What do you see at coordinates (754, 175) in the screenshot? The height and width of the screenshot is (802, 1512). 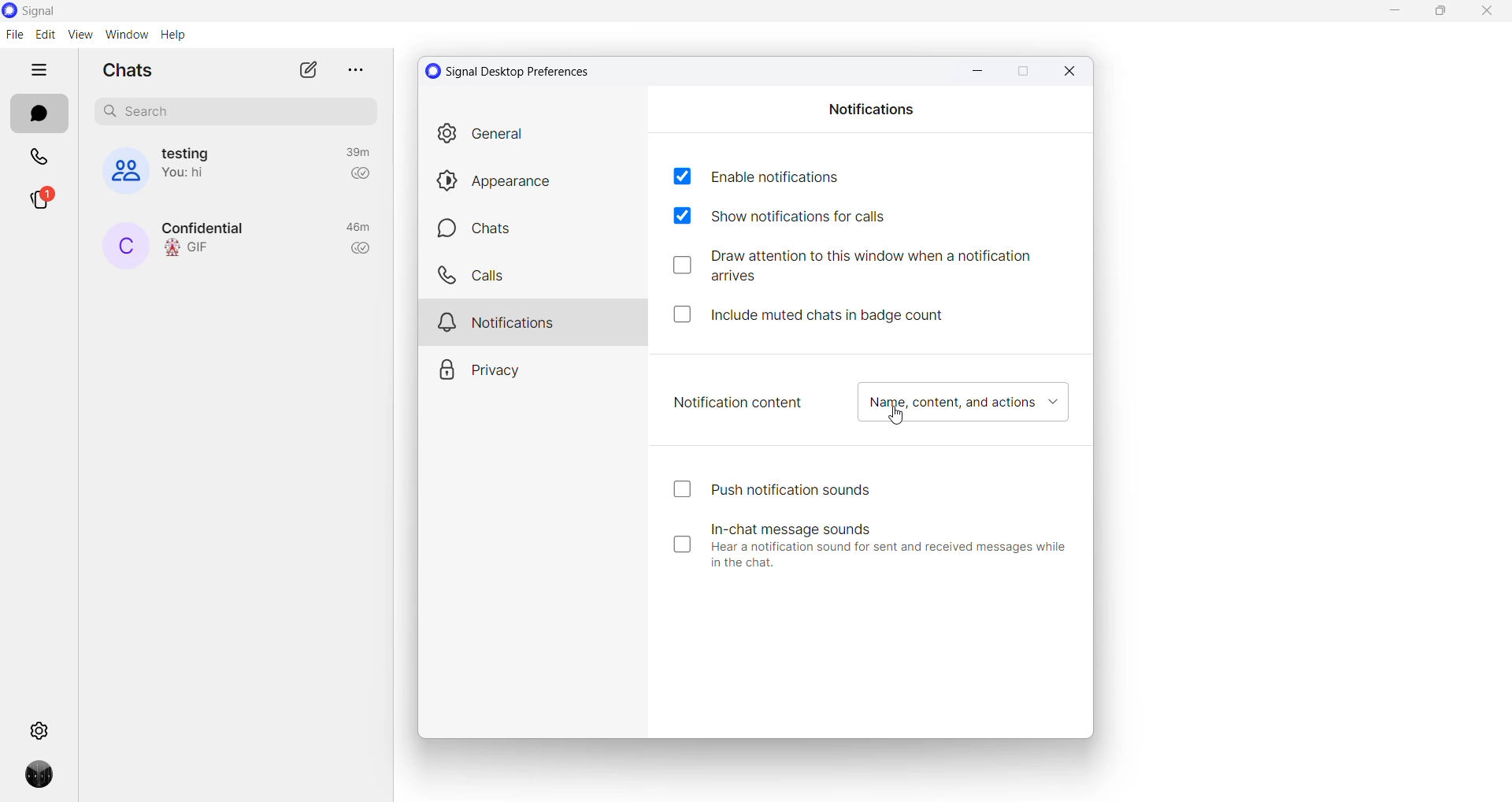 I see `enable notifications checkbox` at bounding box center [754, 175].